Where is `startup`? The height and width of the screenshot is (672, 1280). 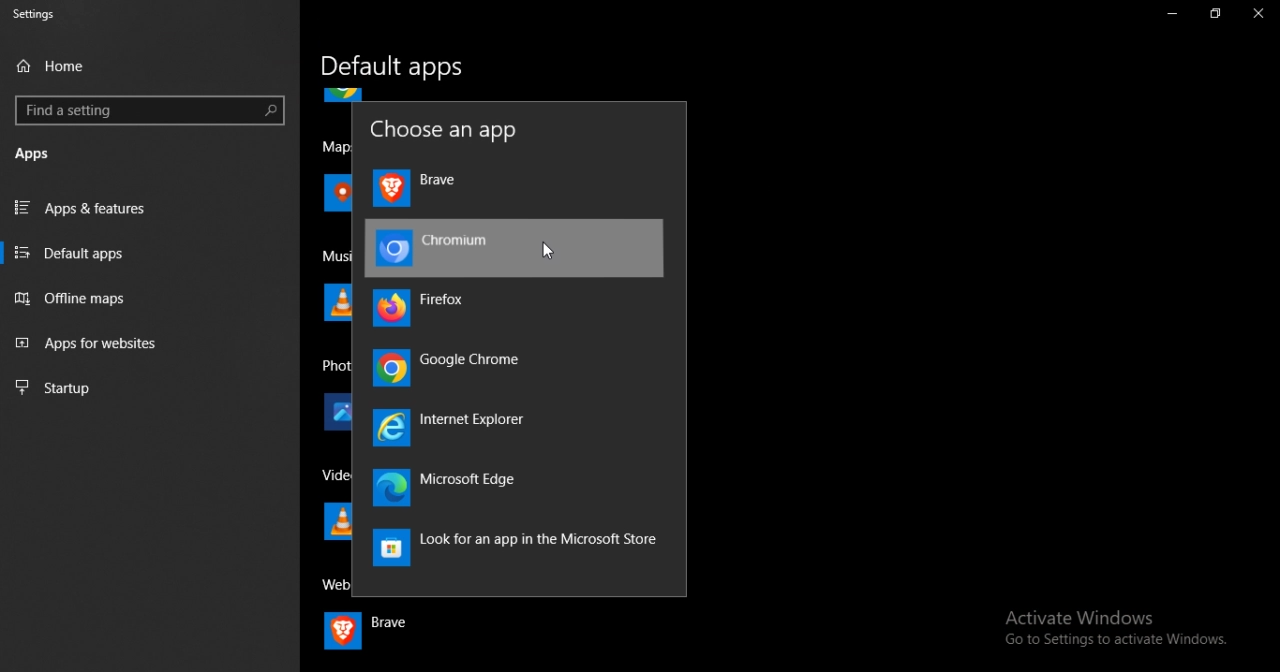 startup is located at coordinates (143, 390).